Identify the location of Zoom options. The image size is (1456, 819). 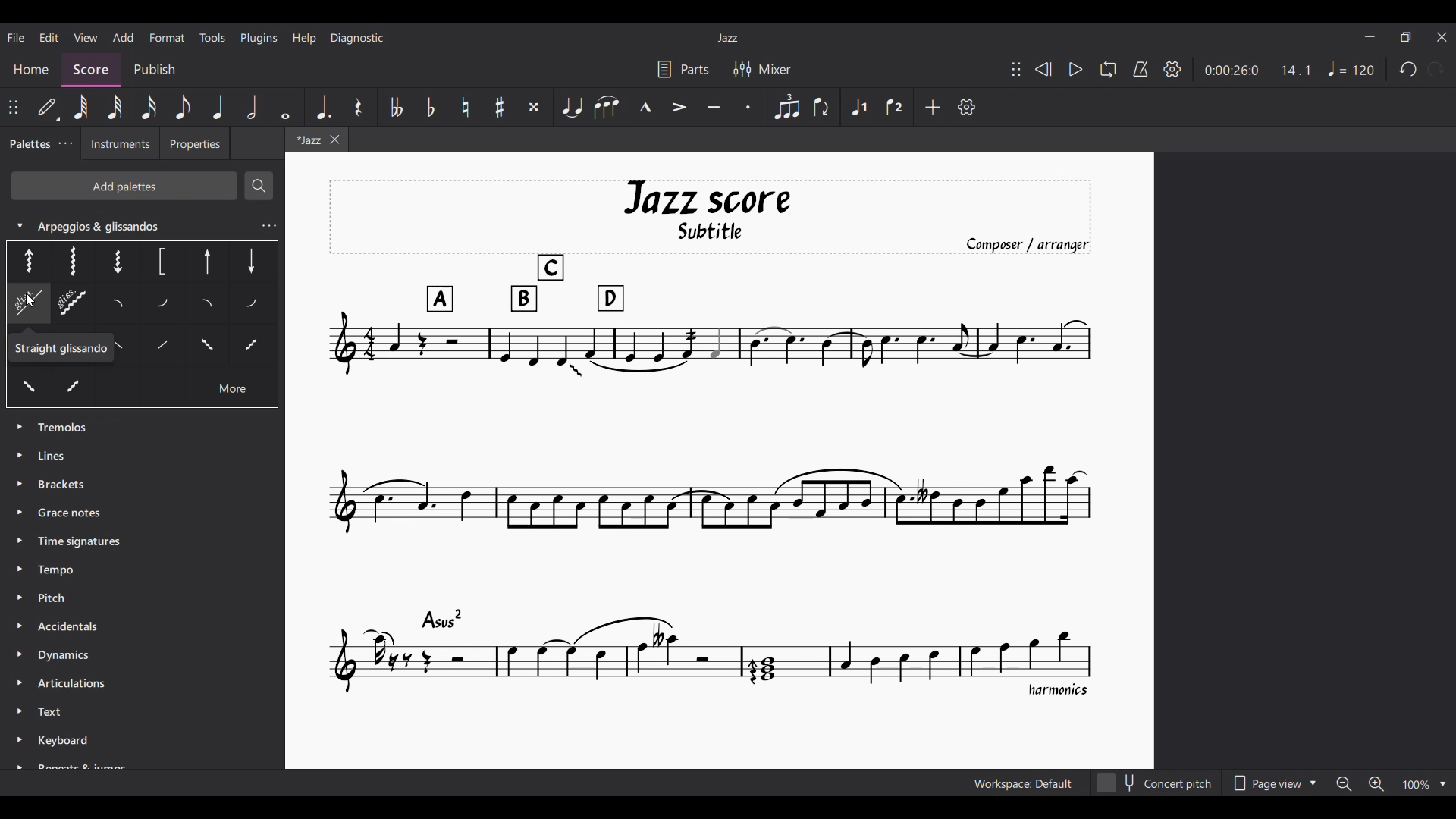
(1391, 783).